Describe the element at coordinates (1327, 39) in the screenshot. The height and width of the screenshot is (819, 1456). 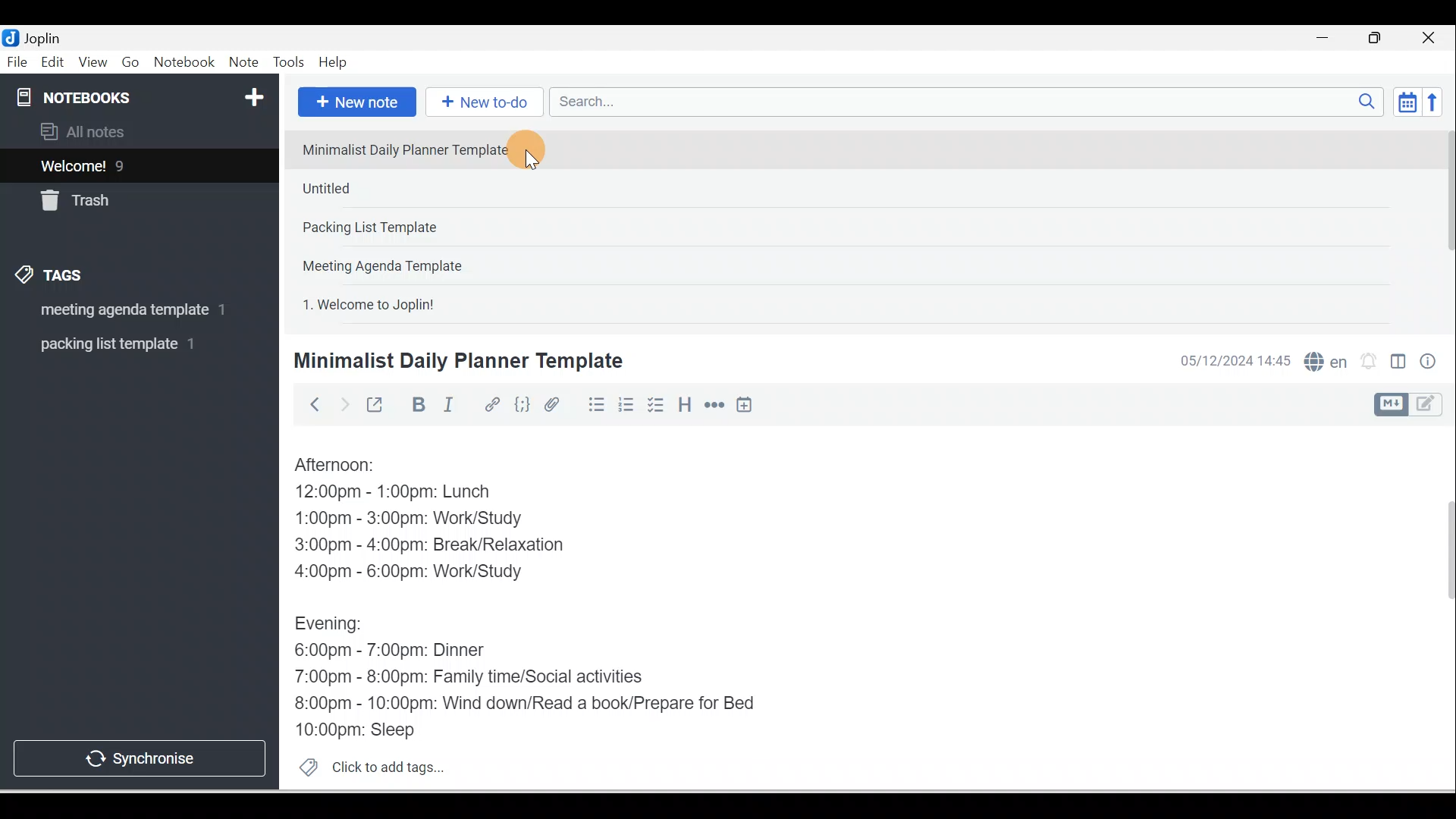
I see `Minimise` at that location.